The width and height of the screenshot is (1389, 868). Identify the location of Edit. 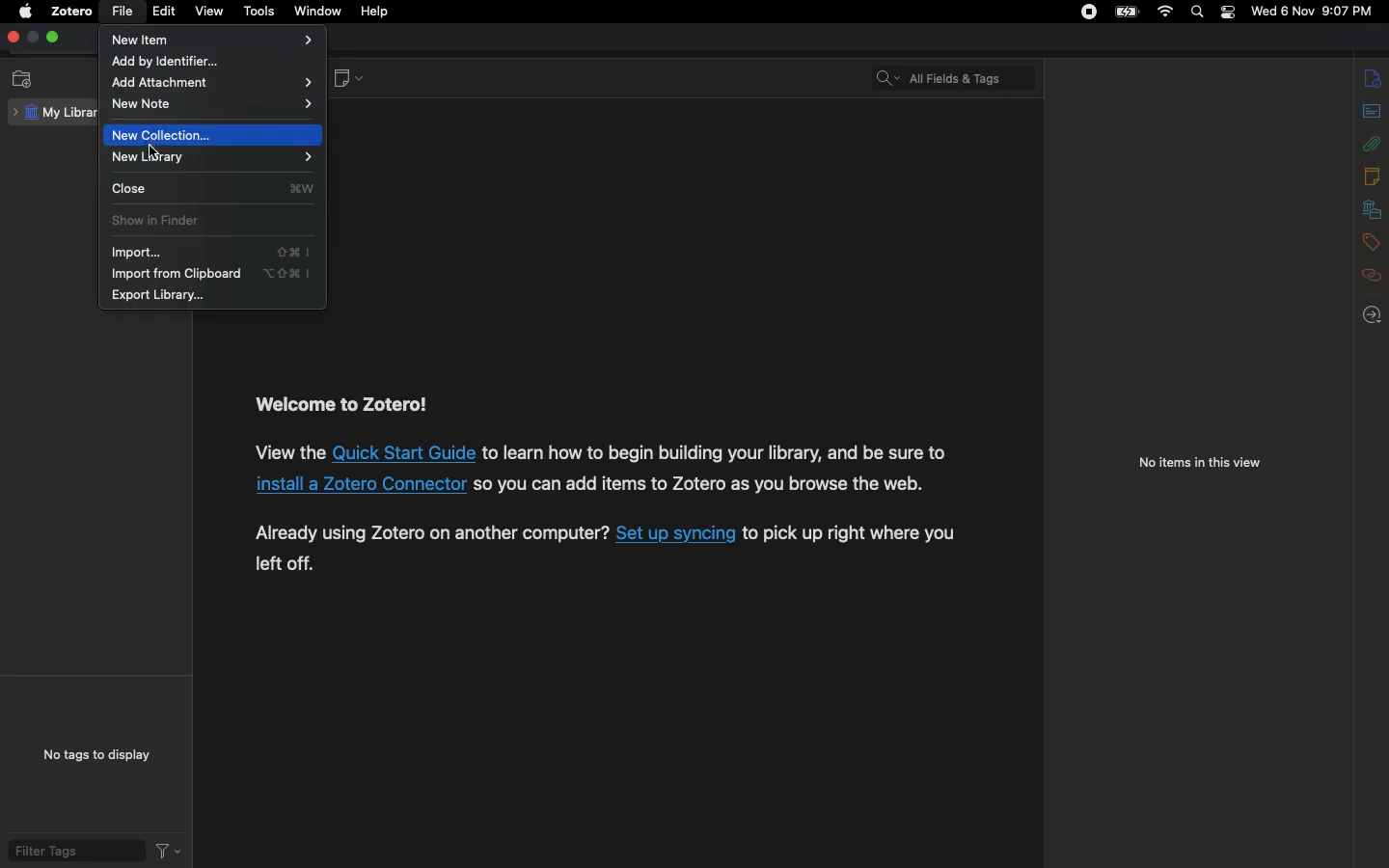
(164, 14).